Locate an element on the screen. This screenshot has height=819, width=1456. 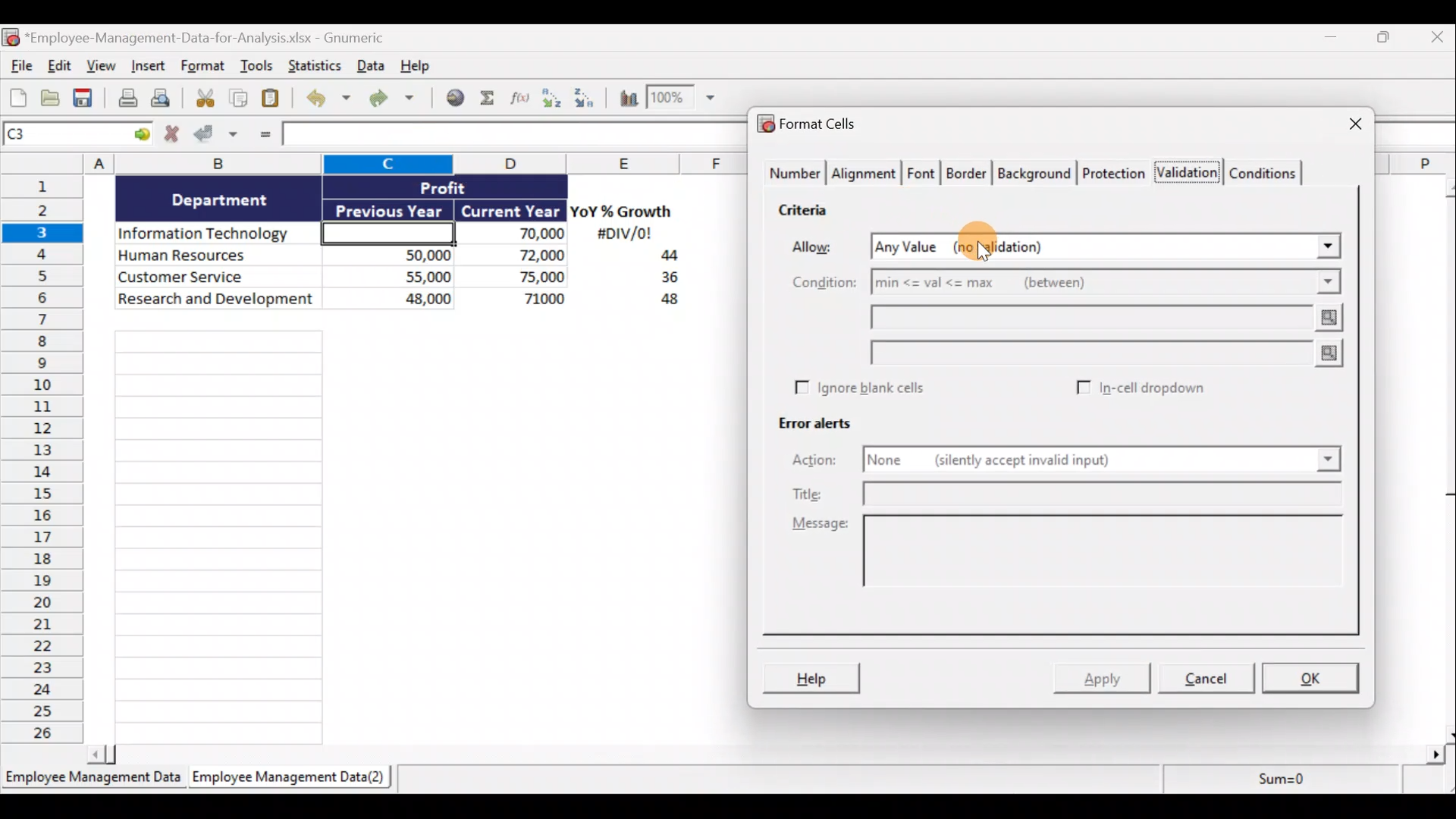
Current Year is located at coordinates (509, 212).